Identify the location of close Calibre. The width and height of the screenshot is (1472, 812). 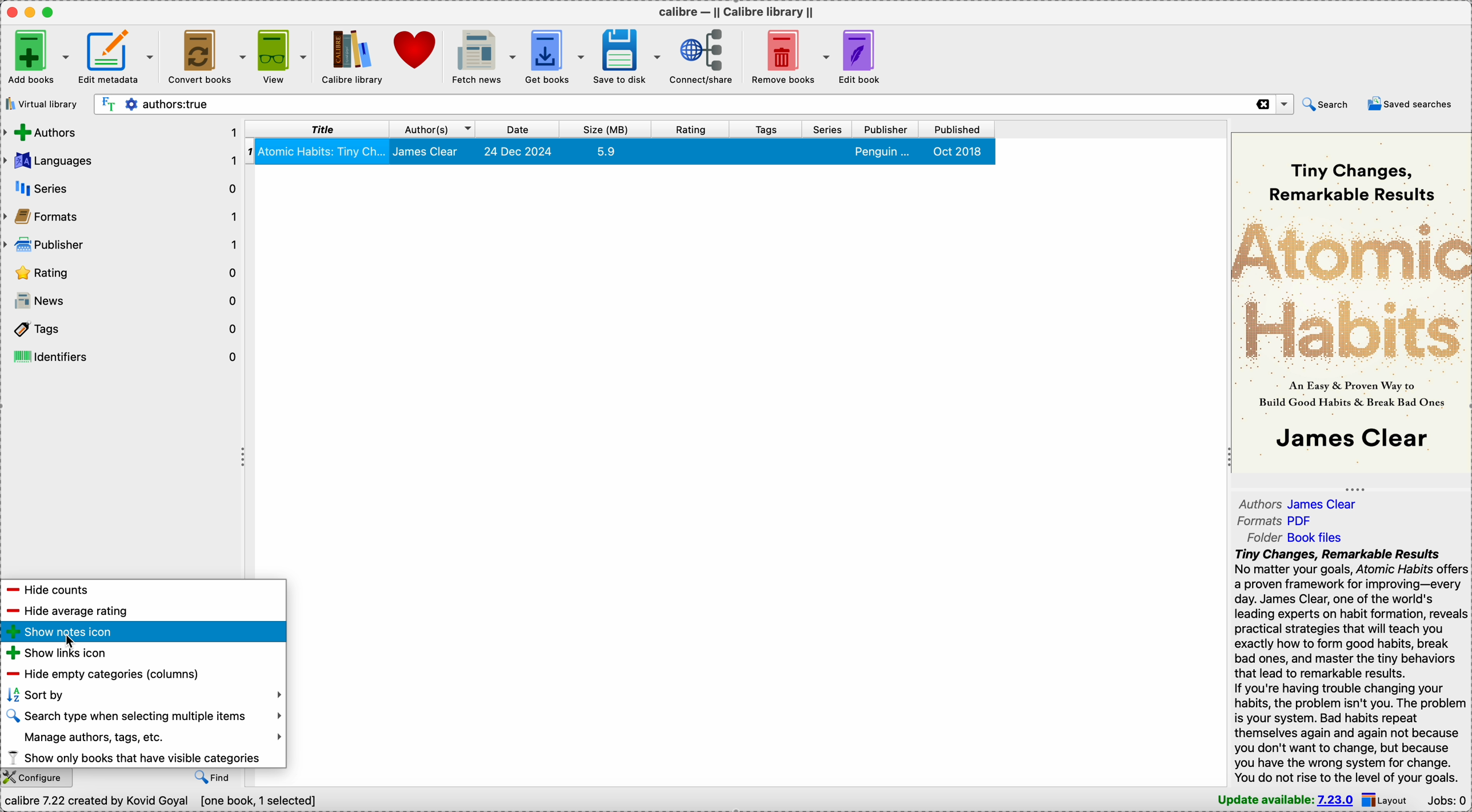
(10, 11).